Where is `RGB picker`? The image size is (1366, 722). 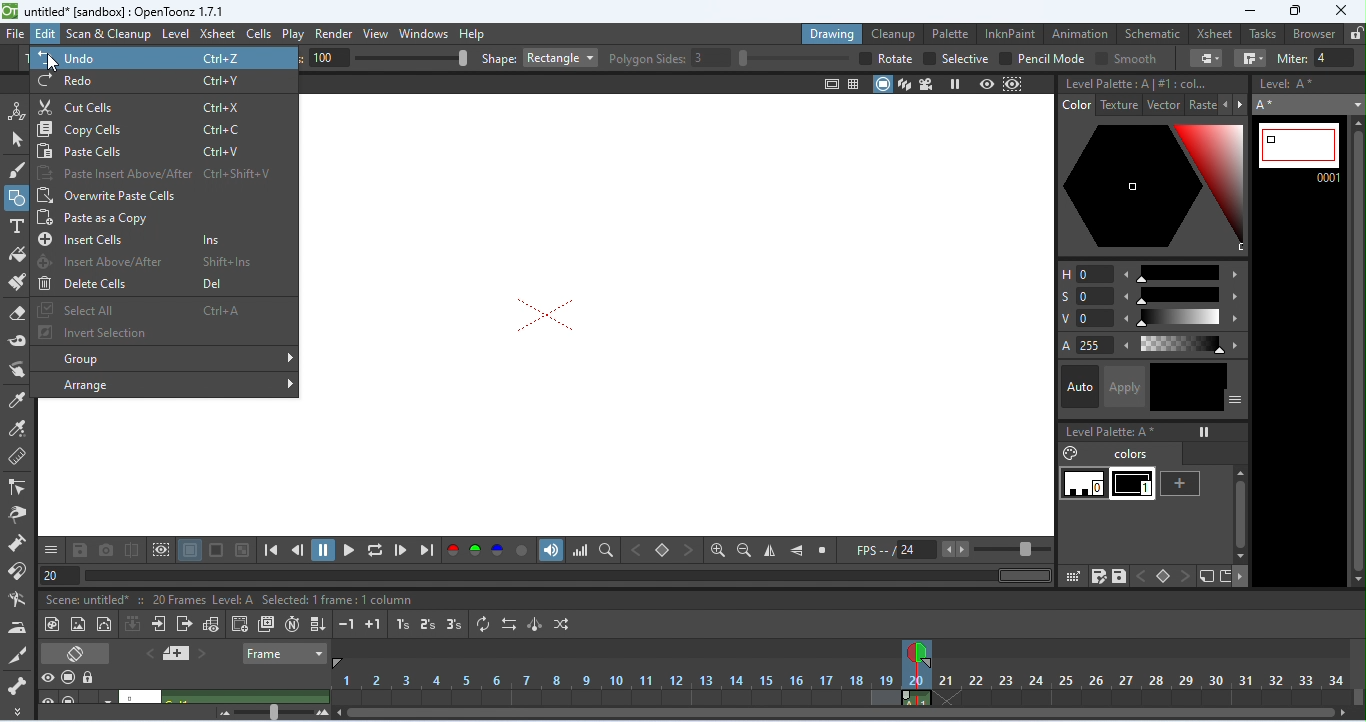 RGB picker is located at coordinates (19, 427).